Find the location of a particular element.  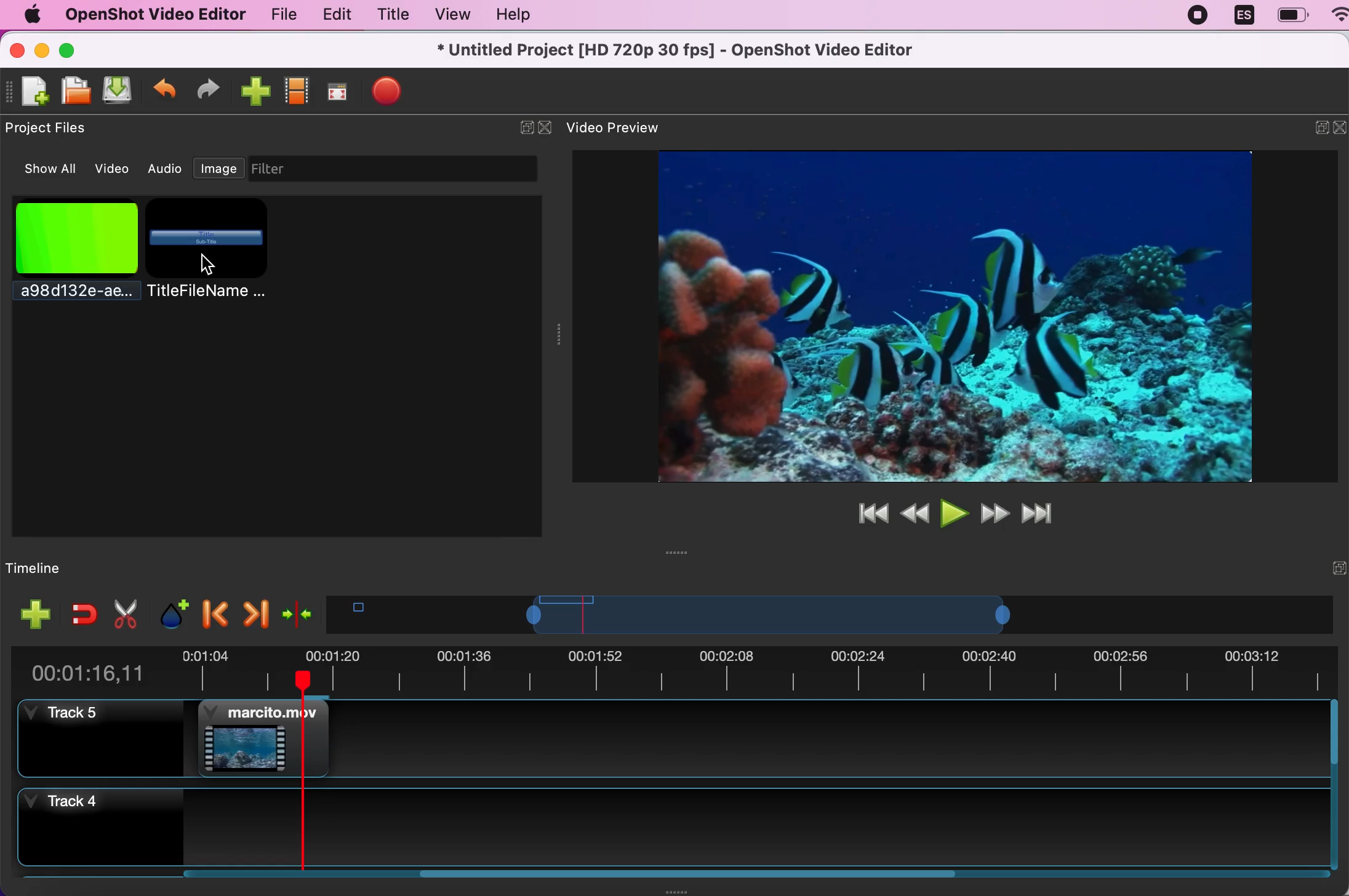

WIFI is located at coordinates (1340, 14).